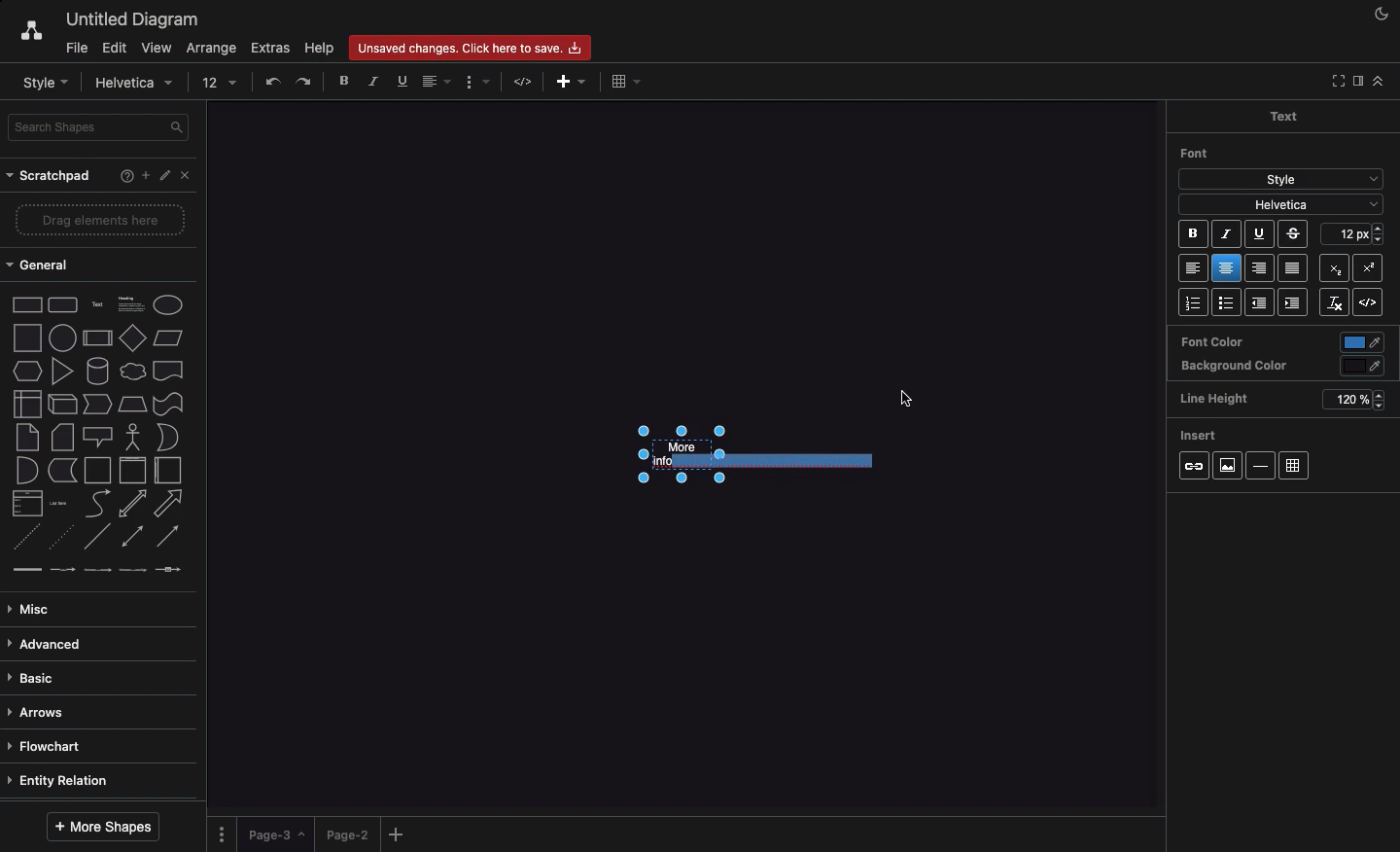  I want to click on cube, so click(62, 405).